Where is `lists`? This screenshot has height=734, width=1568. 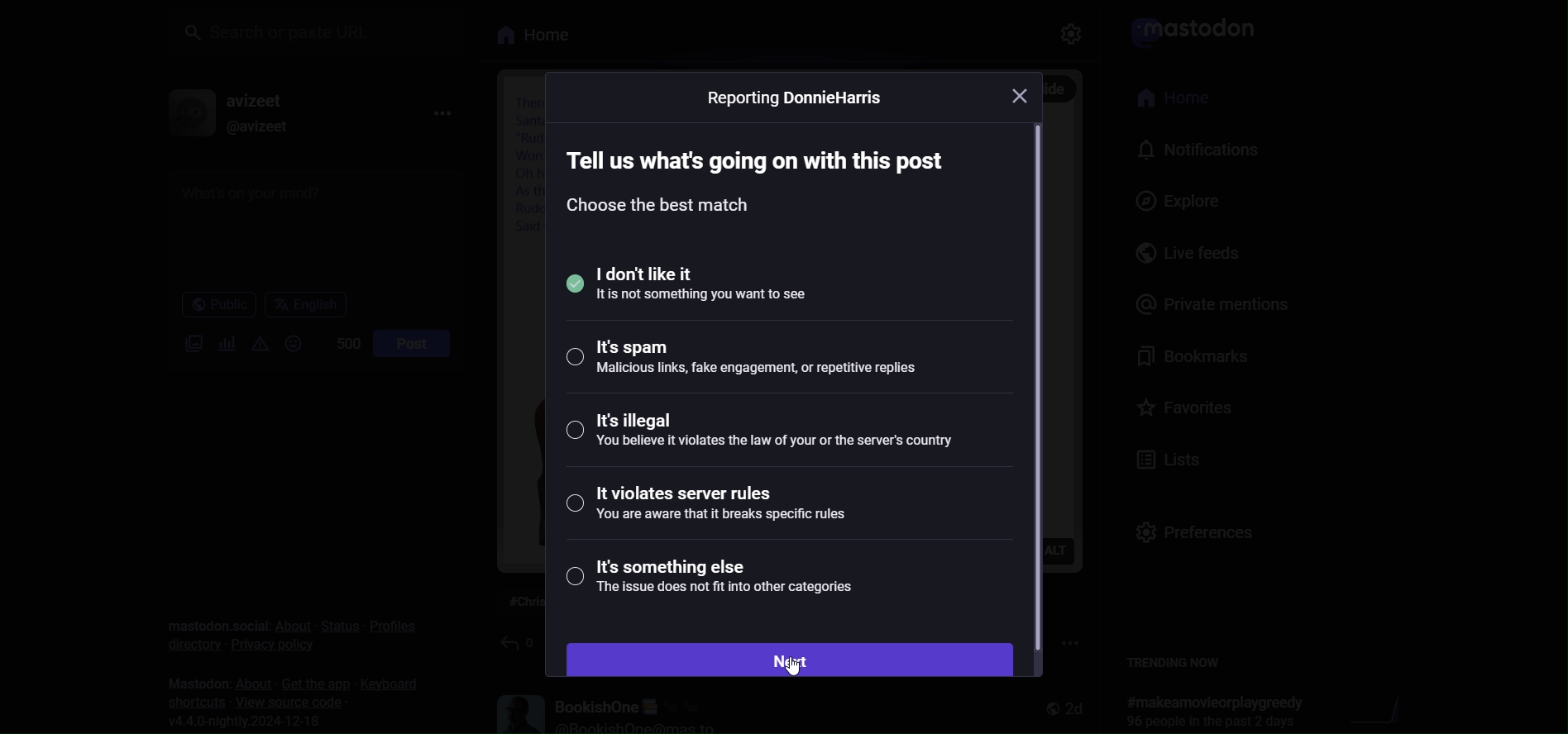 lists is located at coordinates (1167, 456).